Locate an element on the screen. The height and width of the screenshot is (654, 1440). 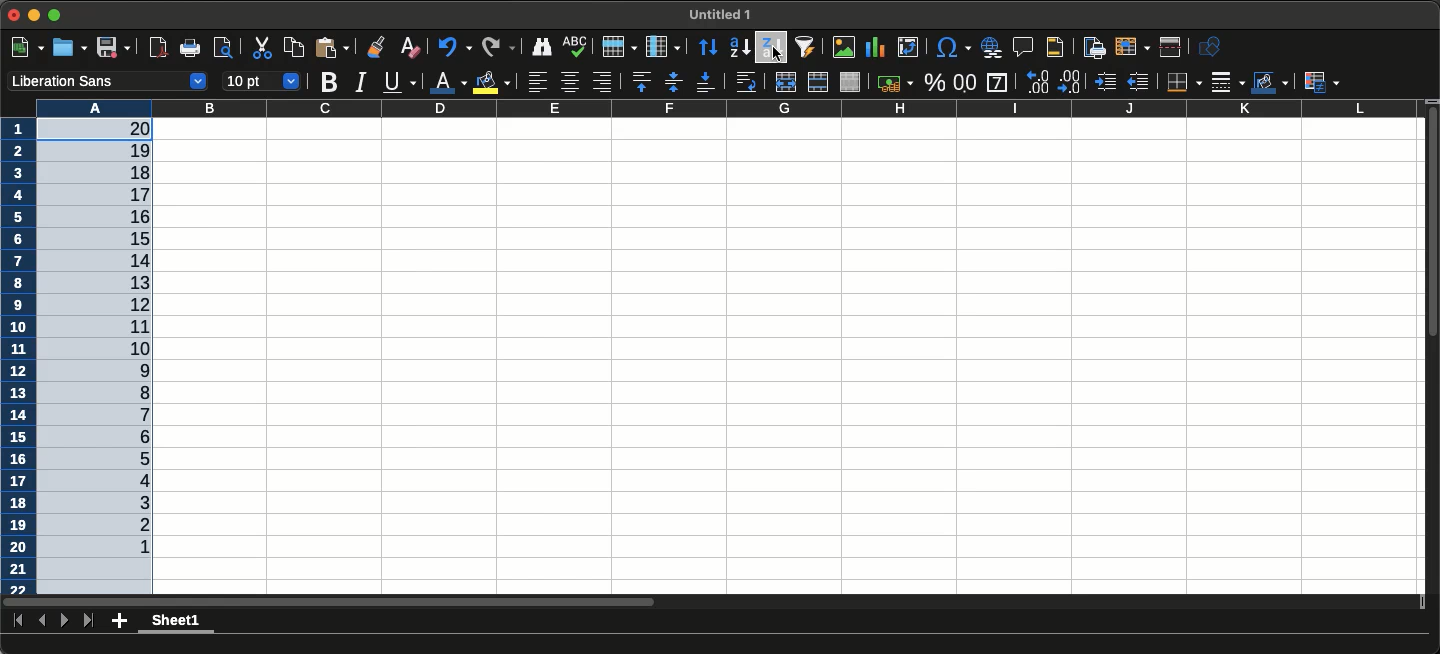
Border color is located at coordinates (1270, 83).